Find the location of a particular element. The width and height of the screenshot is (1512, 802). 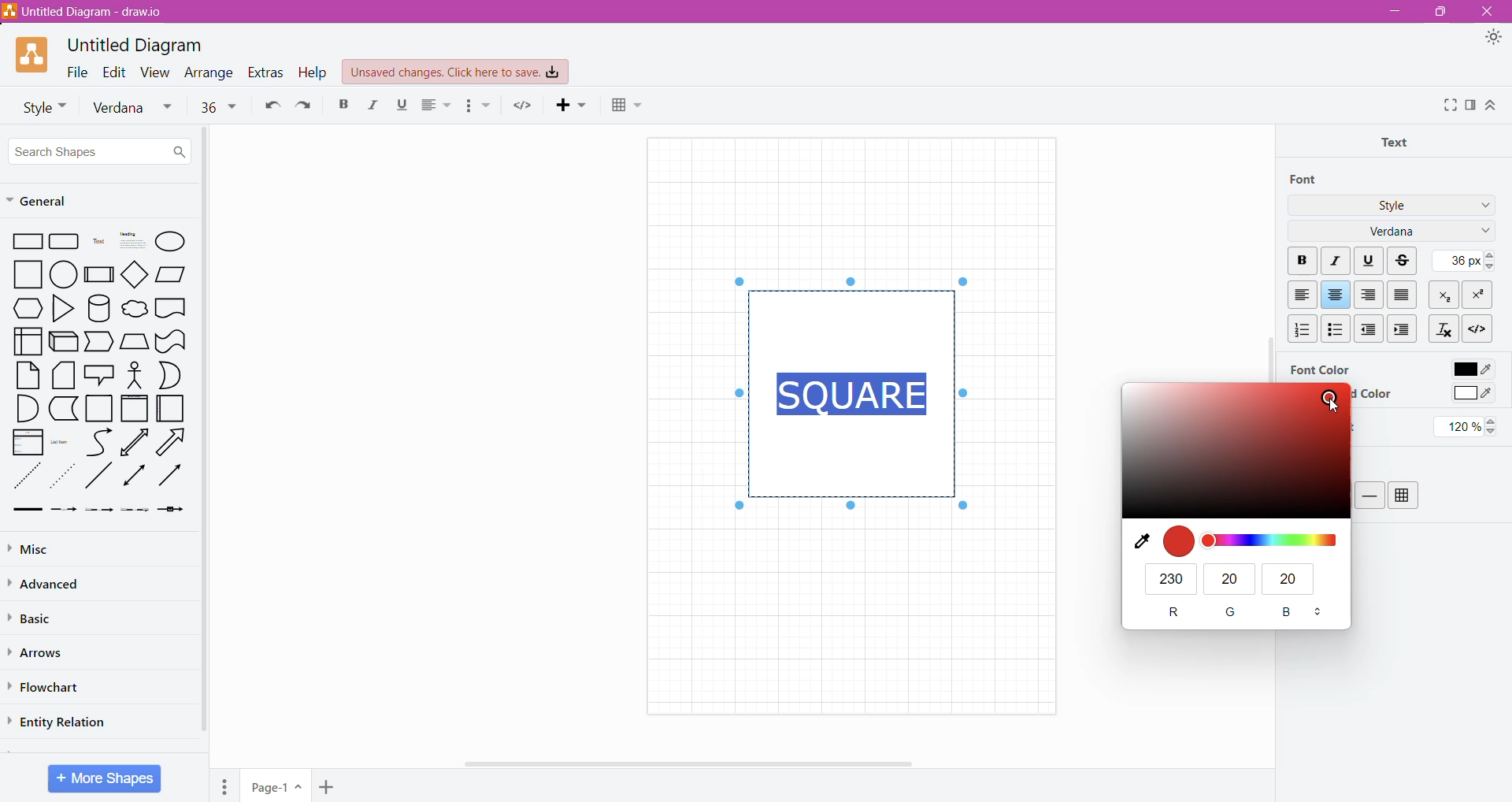

Trapezoid is located at coordinates (99, 343).